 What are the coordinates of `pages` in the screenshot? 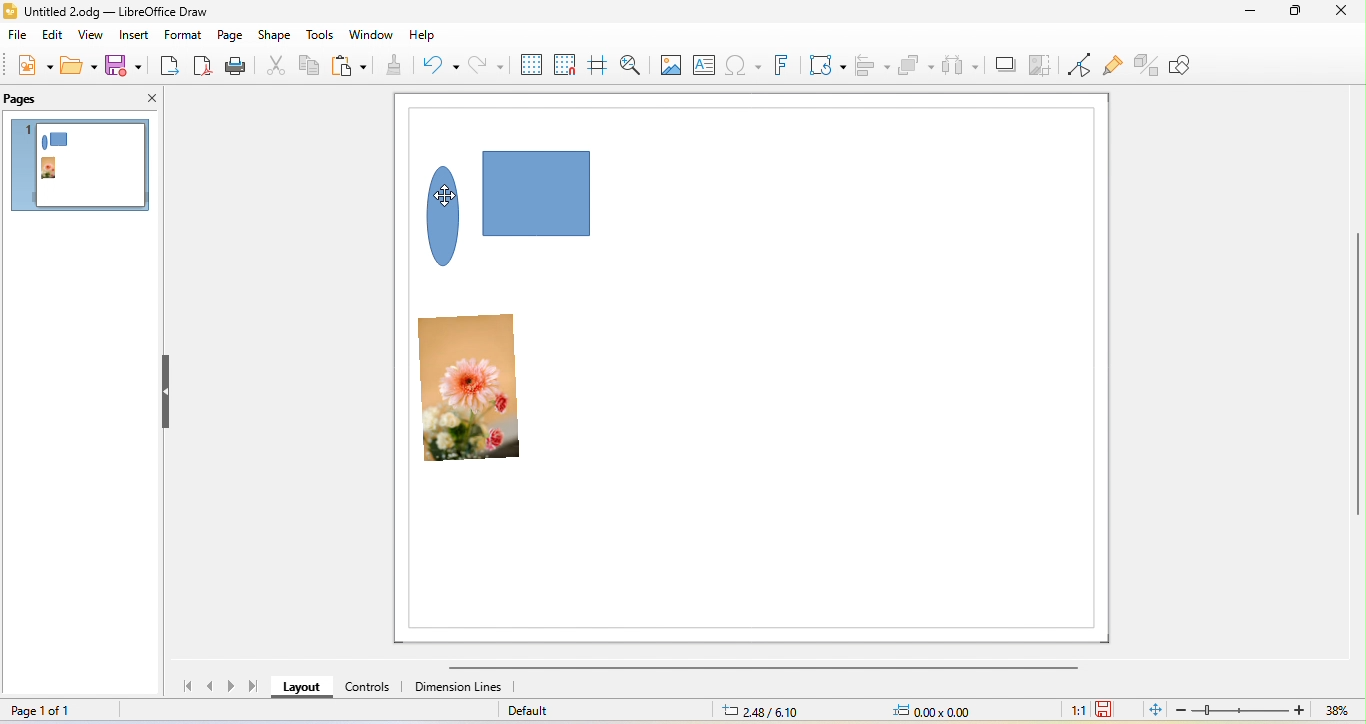 It's located at (35, 97).